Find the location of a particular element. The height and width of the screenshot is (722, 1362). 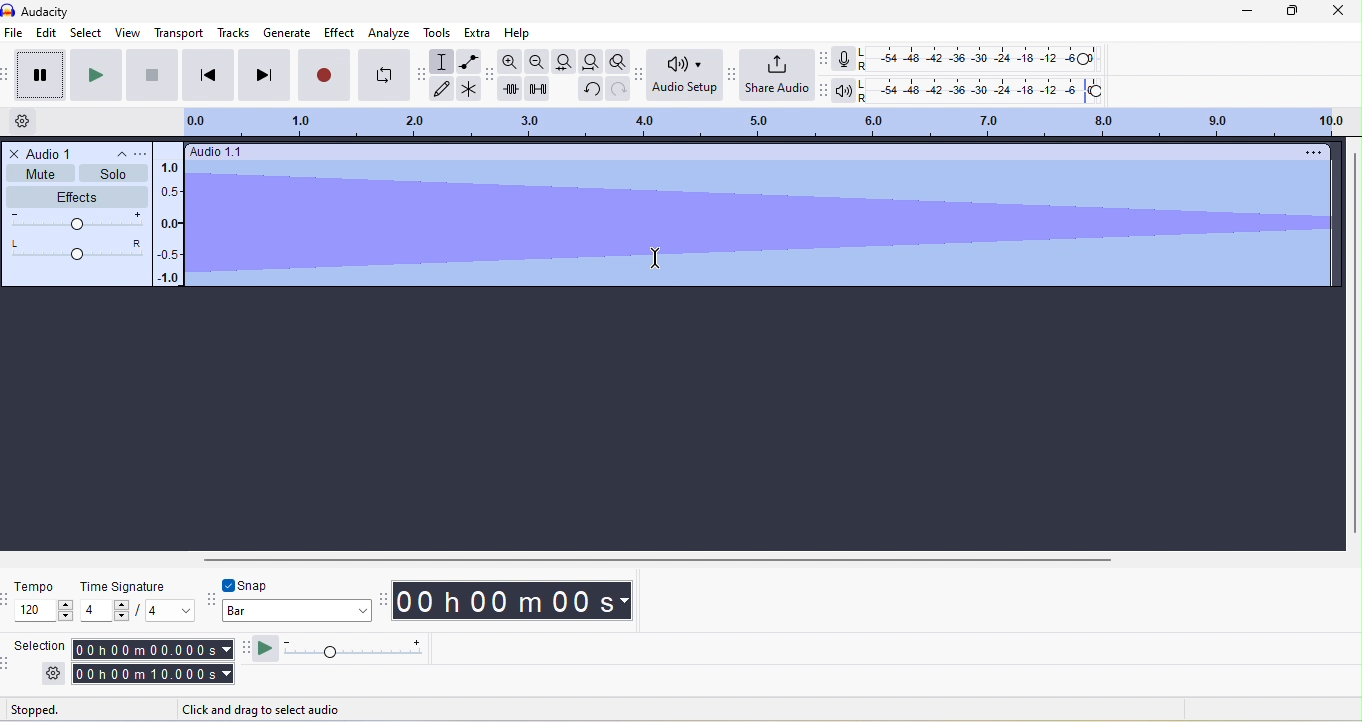

transport is located at coordinates (181, 34).